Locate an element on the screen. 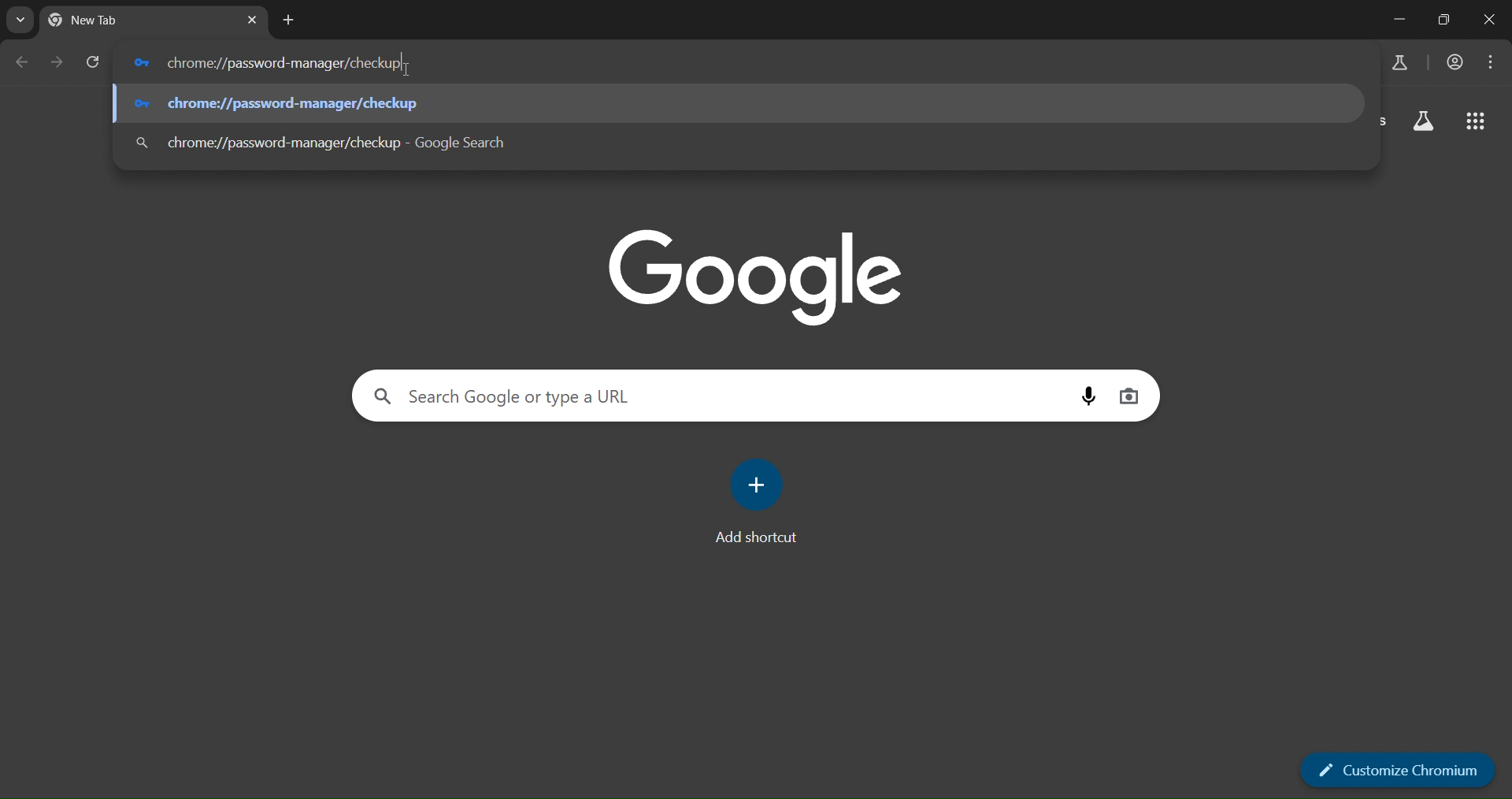  minimize is located at coordinates (1397, 17).